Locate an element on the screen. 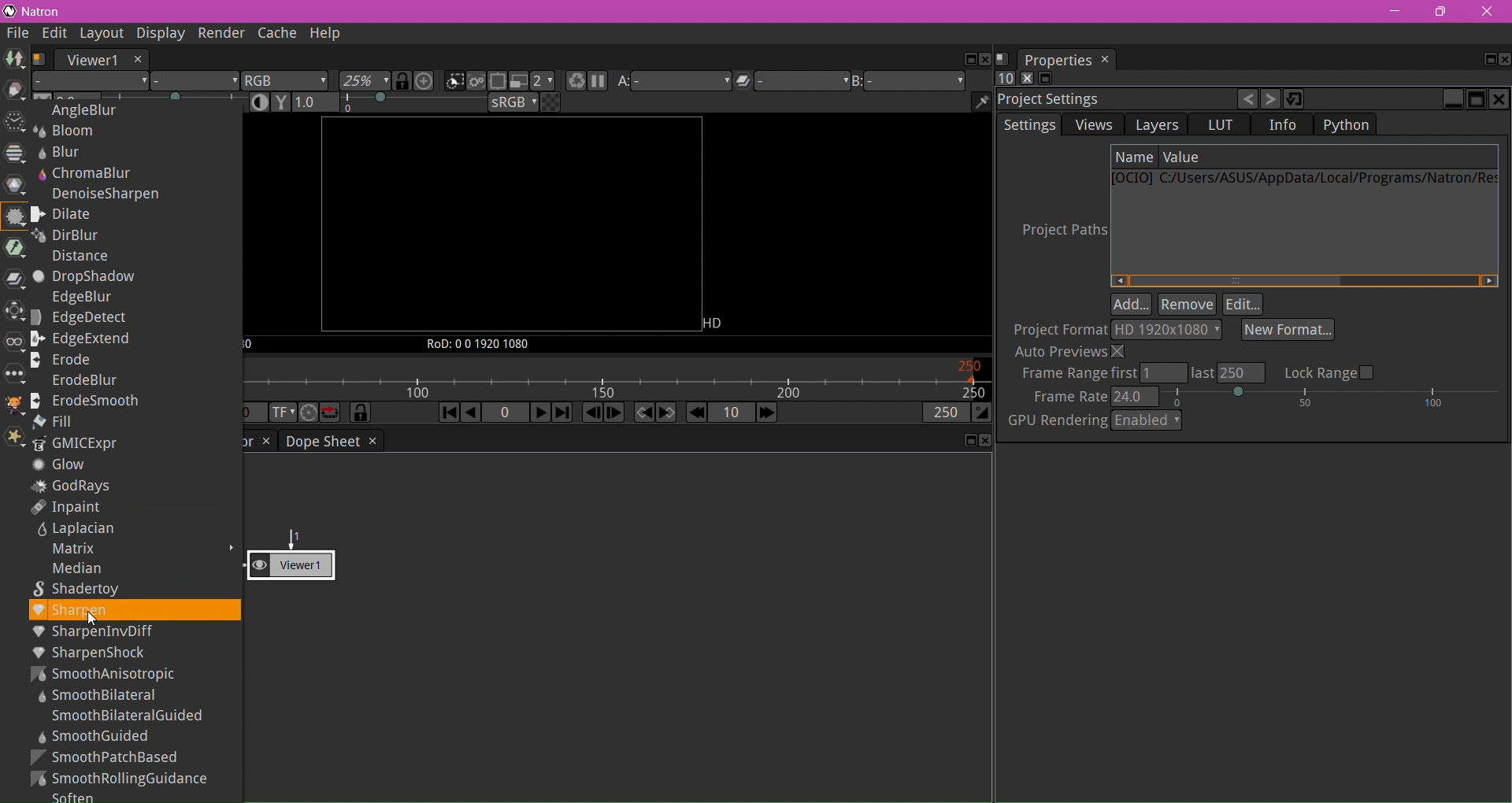 The image size is (1512, 803). Set the Frame Rate is located at coordinates (1268, 396).